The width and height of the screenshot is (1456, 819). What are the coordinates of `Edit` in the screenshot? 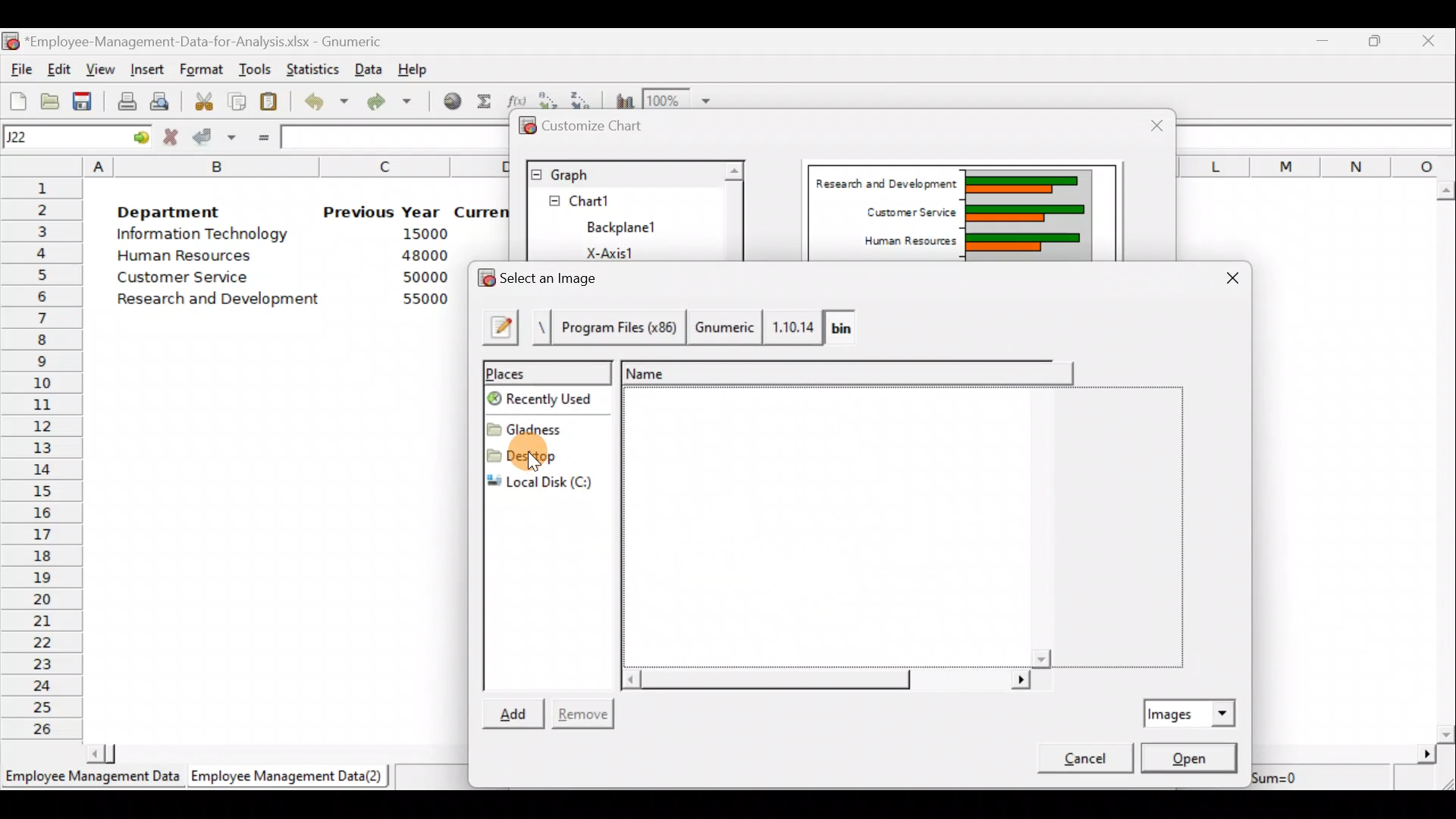 It's located at (61, 68).